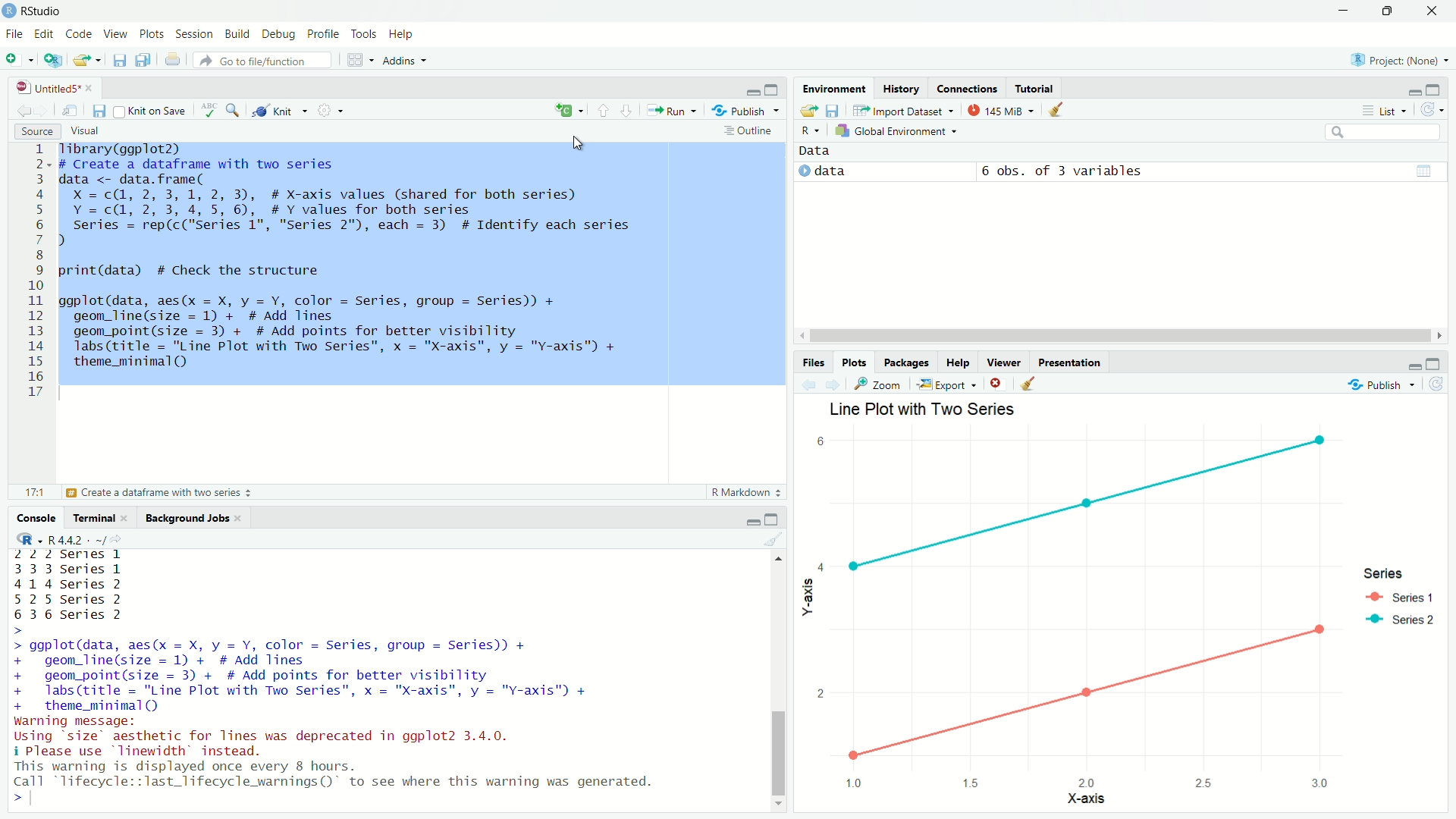  Describe the element at coordinates (670, 110) in the screenshot. I see `Run the current line or selection` at that location.